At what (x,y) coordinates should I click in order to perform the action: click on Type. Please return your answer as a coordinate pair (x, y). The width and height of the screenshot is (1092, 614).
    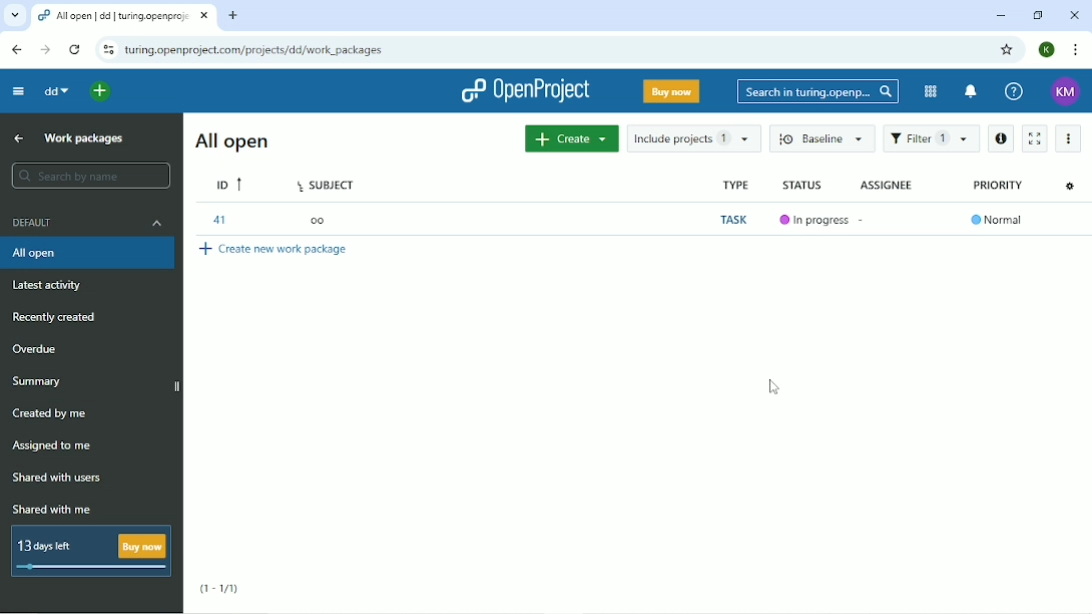
    Looking at the image, I should click on (736, 185).